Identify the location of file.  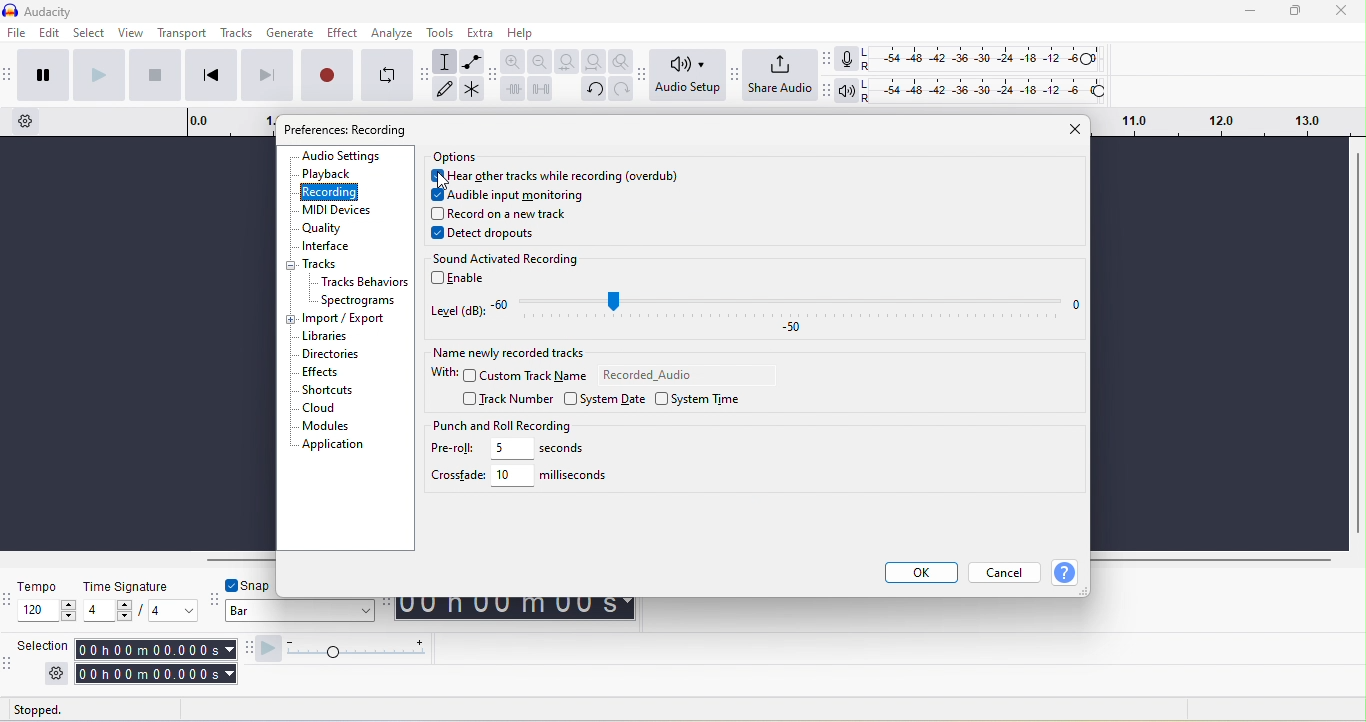
(18, 34).